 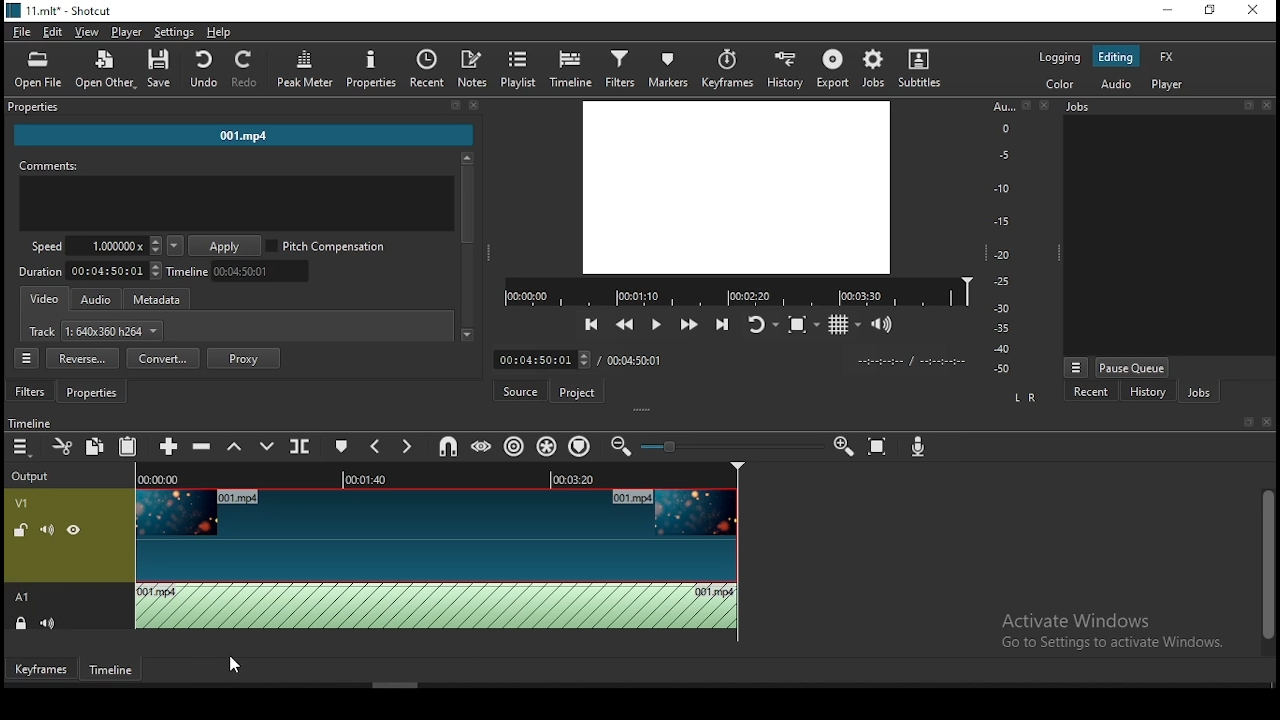 I want to click on play/pause, so click(x=655, y=322).